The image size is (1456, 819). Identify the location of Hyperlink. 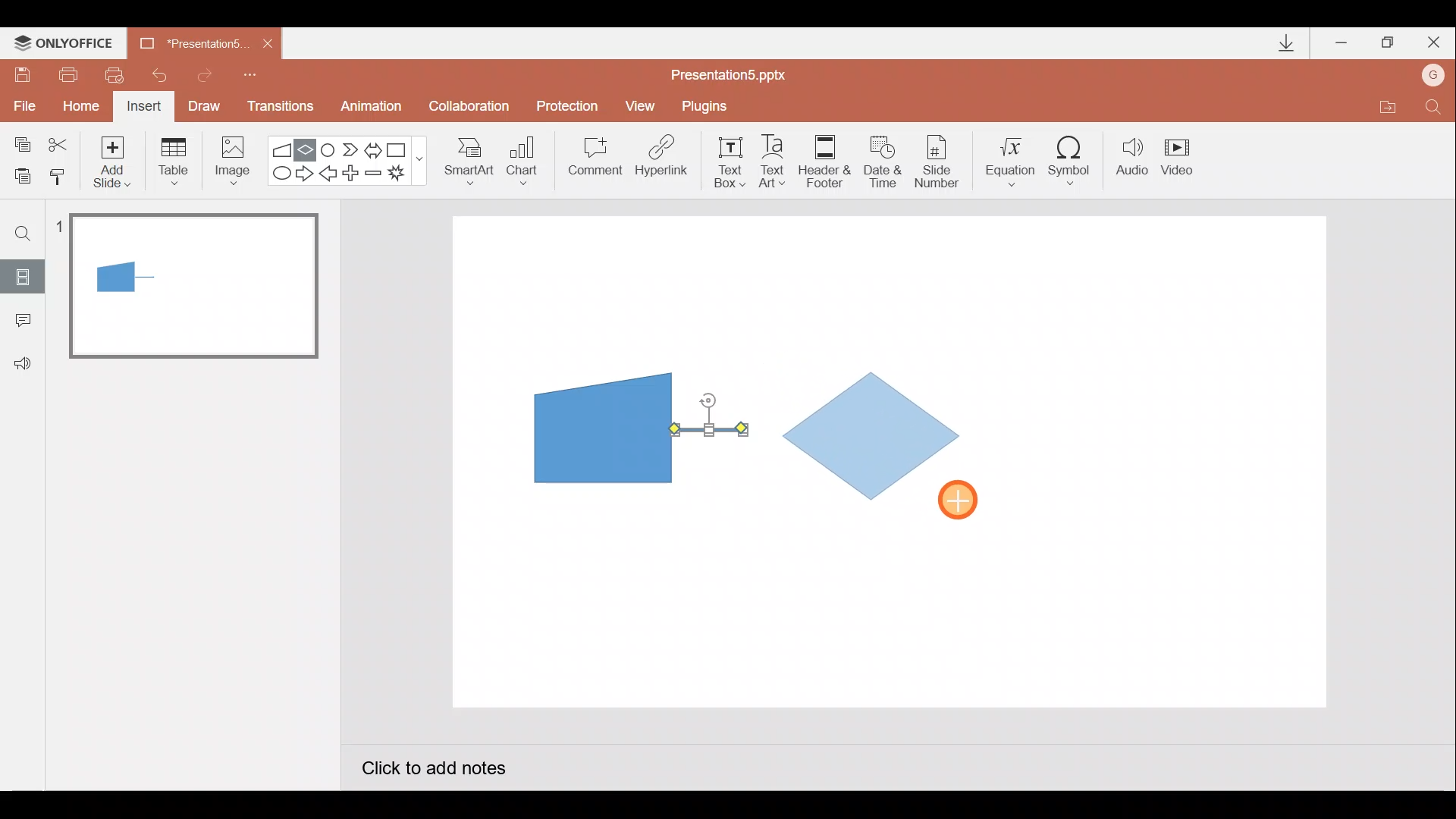
(663, 161).